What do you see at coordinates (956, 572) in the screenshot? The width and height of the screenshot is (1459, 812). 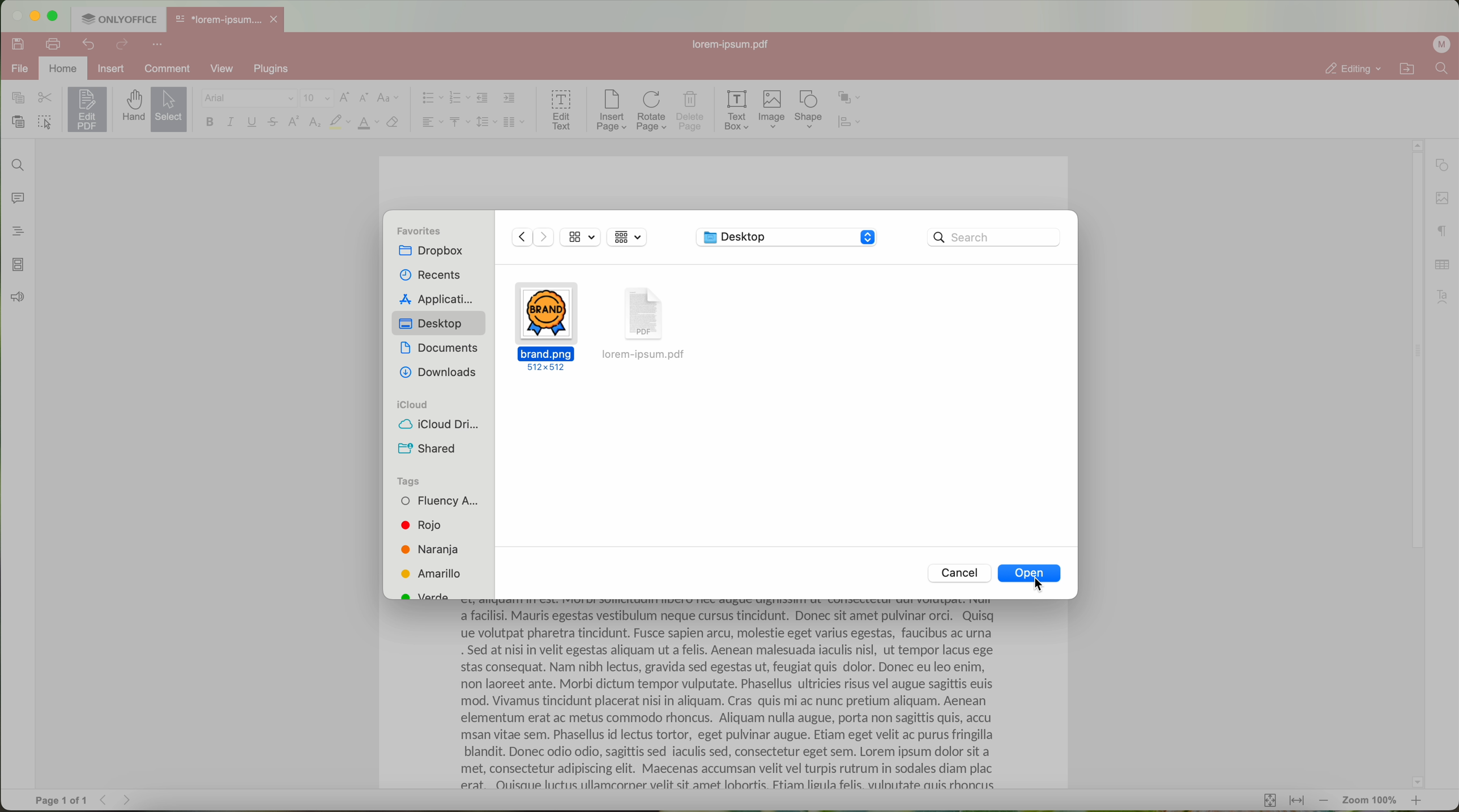 I see `Cancel` at bounding box center [956, 572].